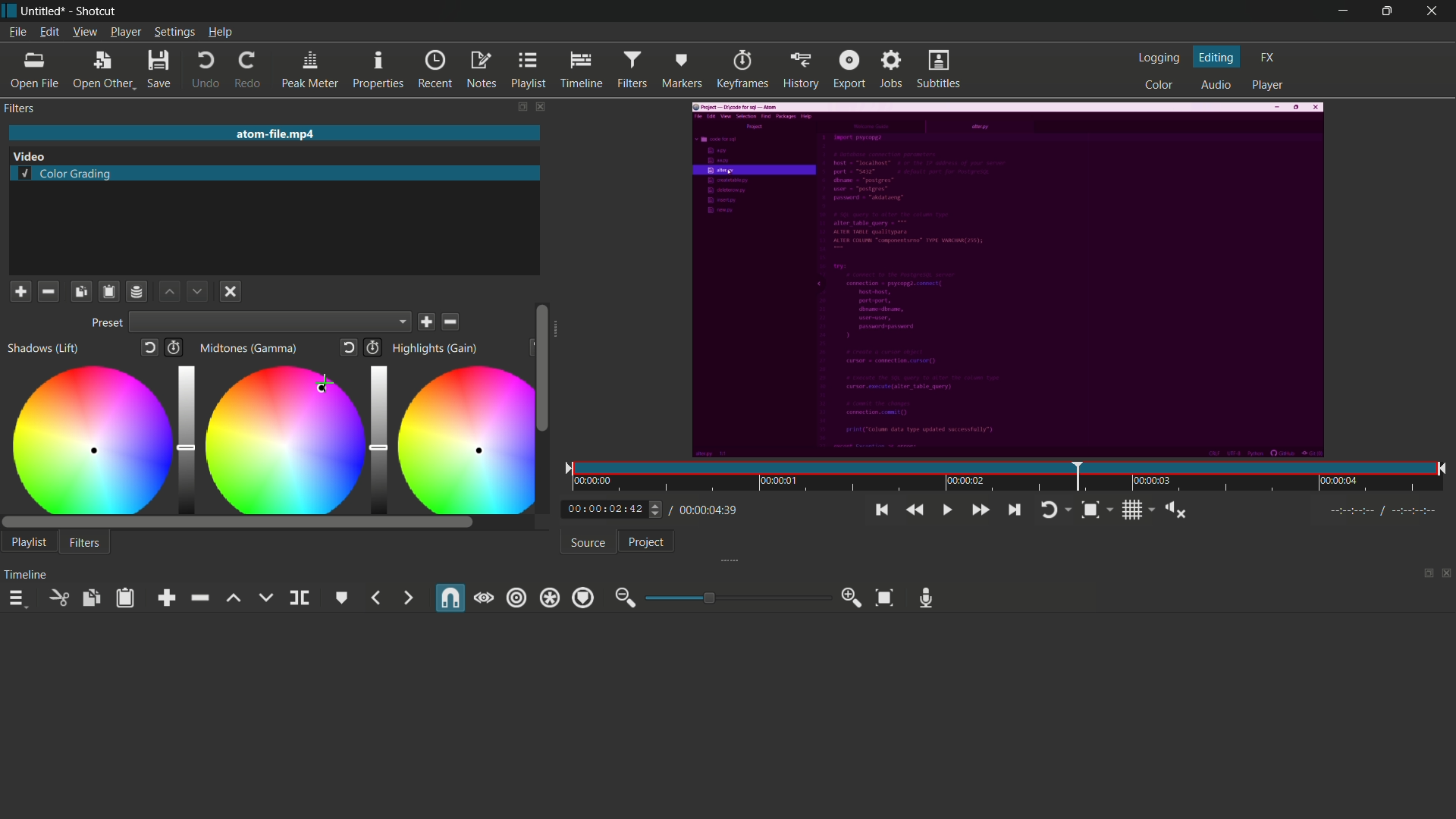  What do you see at coordinates (1218, 57) in the screenshot?
I see `editing` at bounding box center [1218, 57].